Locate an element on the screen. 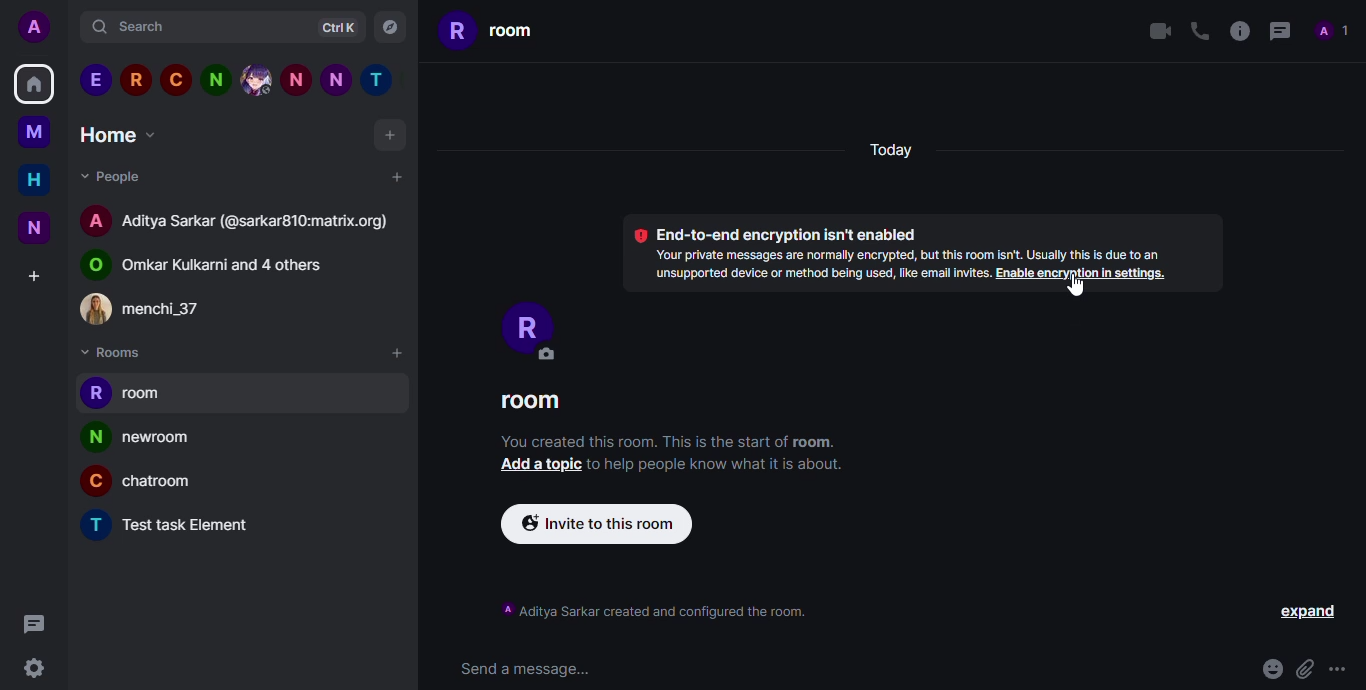 The image size is (1366, 690). home is located at coordinates (33, 83).